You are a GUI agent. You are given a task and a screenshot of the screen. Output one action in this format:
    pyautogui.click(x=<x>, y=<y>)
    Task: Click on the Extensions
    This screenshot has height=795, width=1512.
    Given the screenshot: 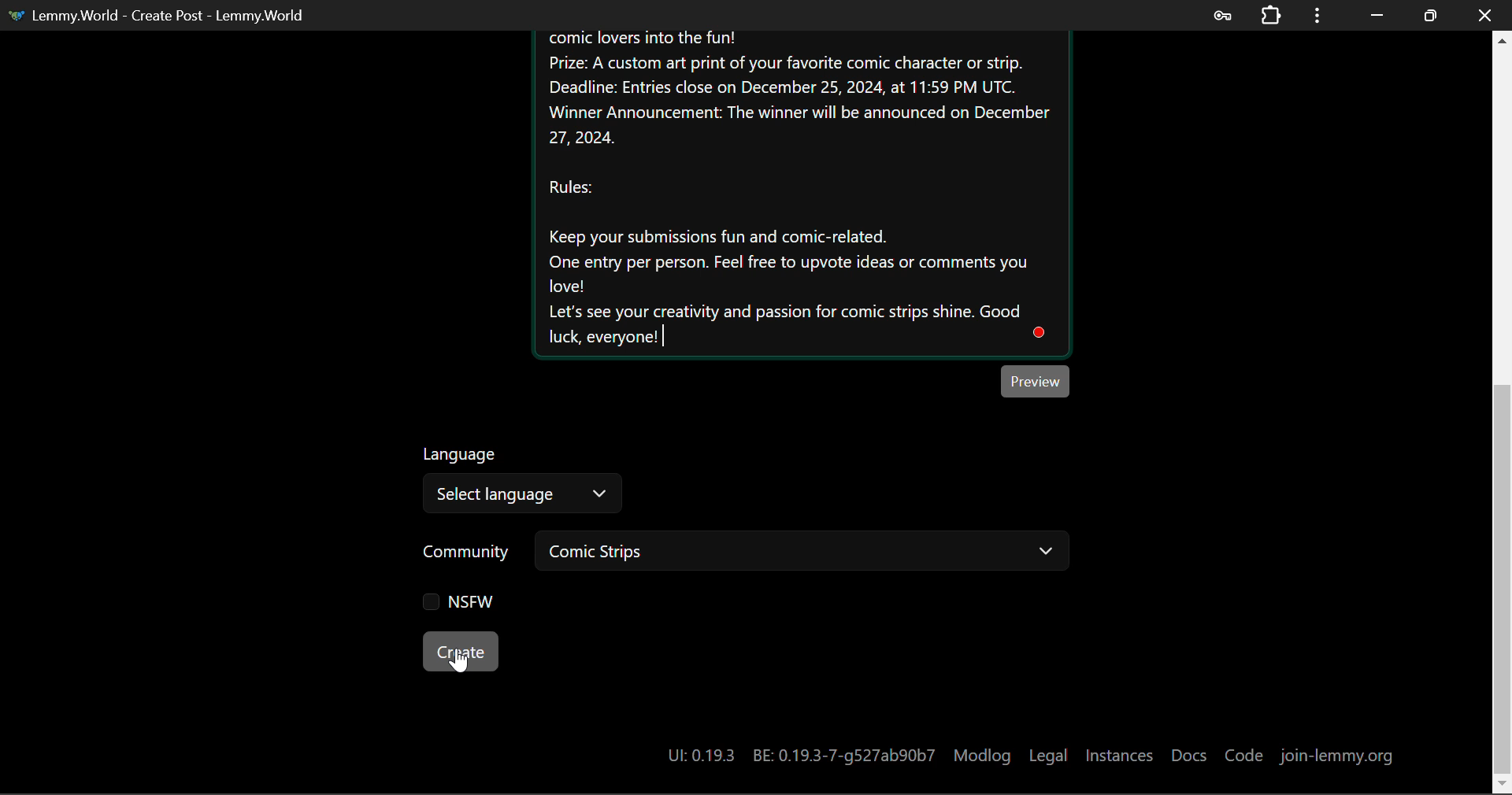 What is the action you would take?
    pyautogui.click(x=1270, y=15)
    